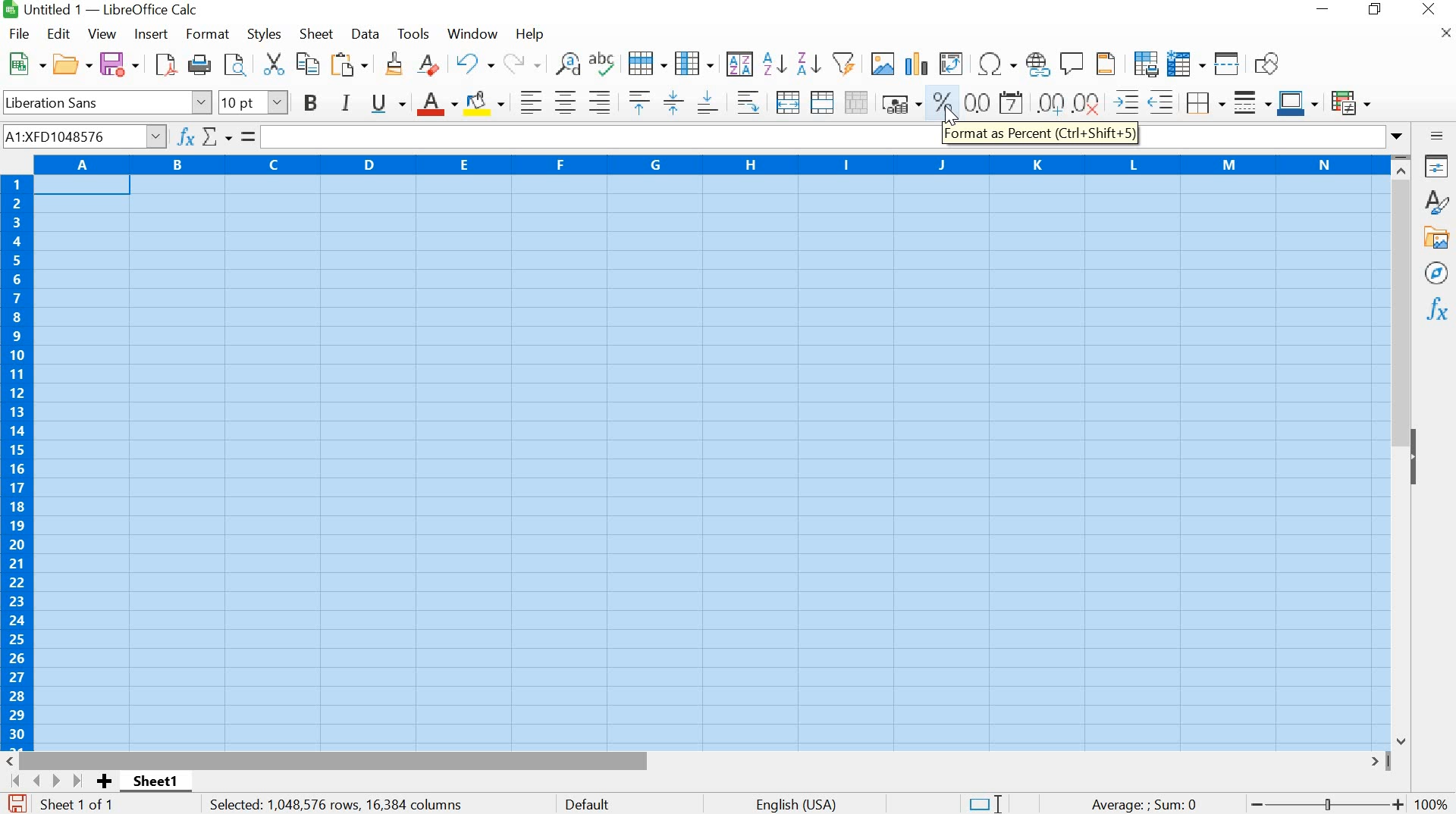 This screenshot has width=1456, height=814. Describe the element at coordinates (61, 33) in the screenshot. I see `EDIT` at that location.